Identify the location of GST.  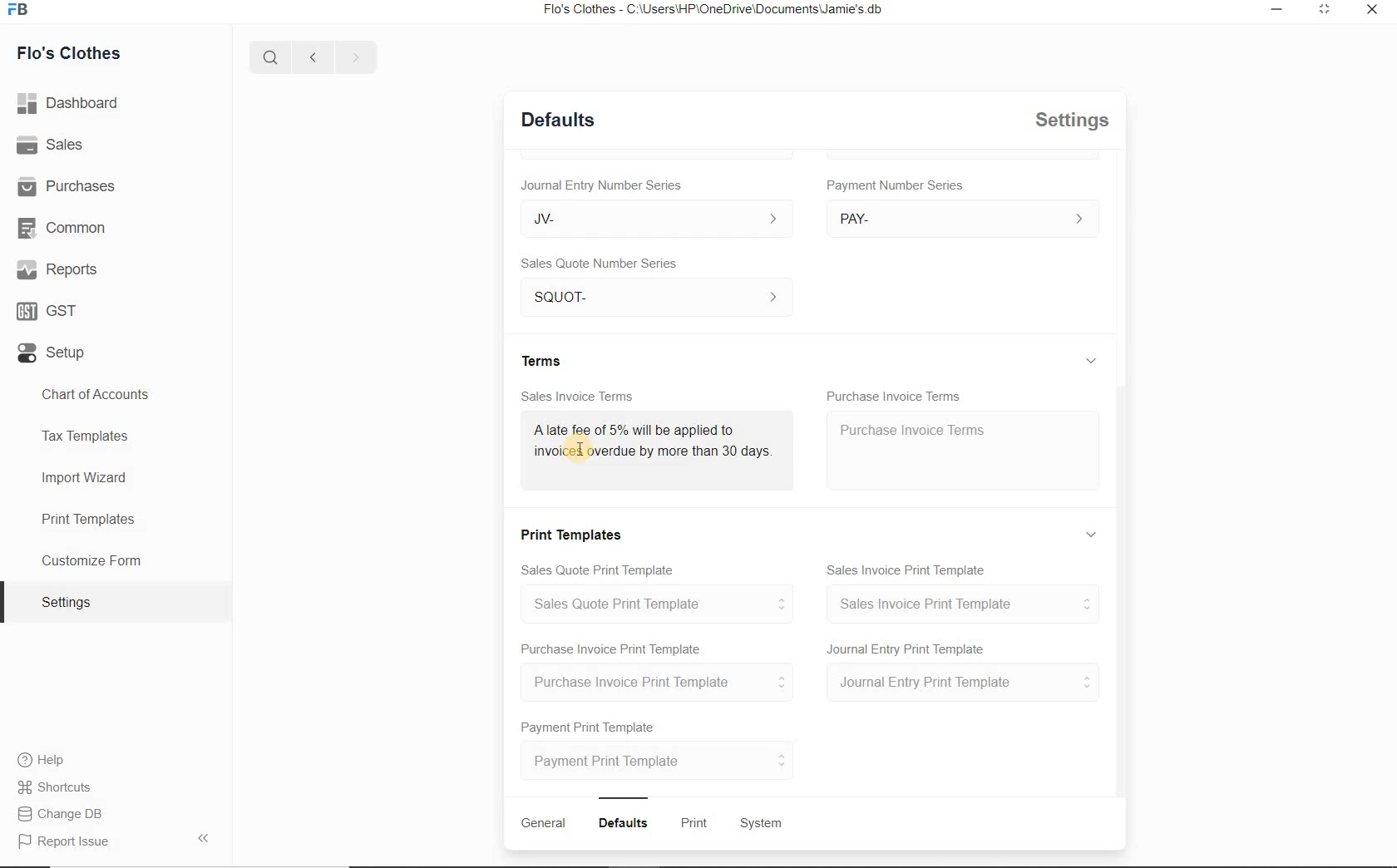
(46, 312).